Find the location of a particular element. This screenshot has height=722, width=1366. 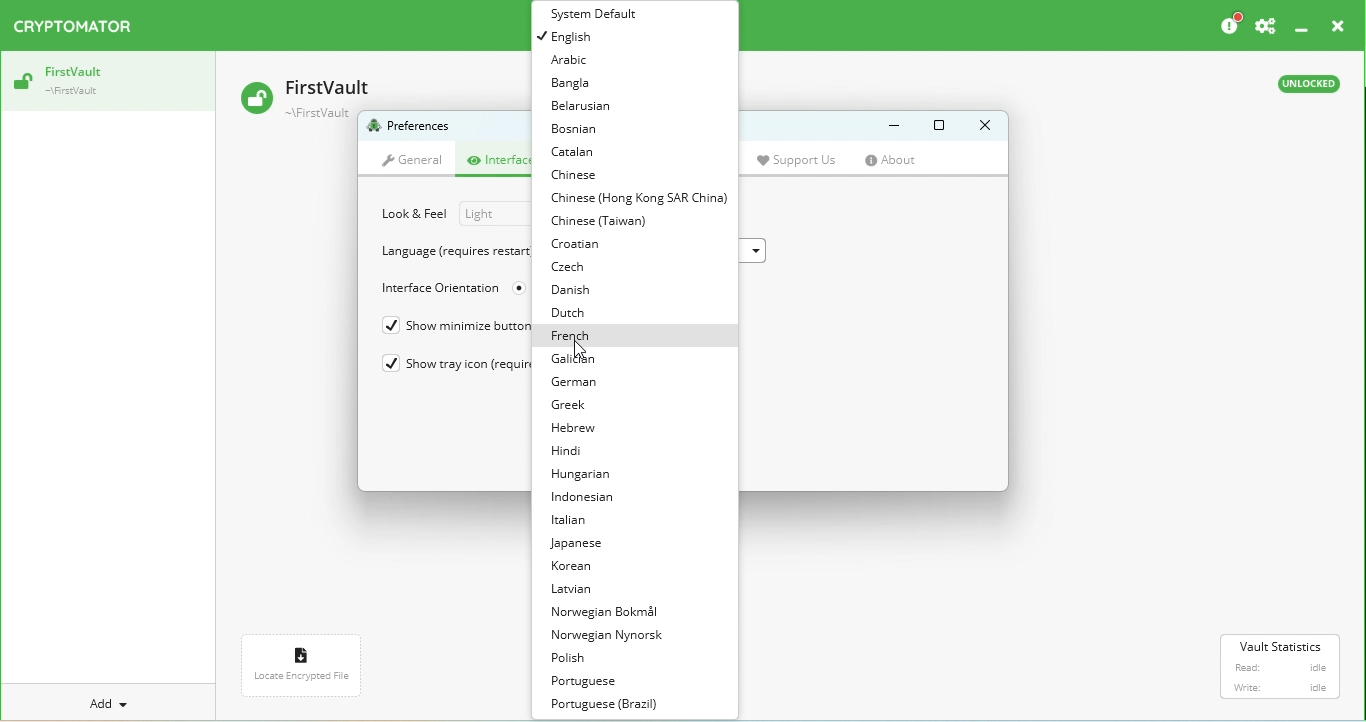

About is located at coordinates (899, 161).